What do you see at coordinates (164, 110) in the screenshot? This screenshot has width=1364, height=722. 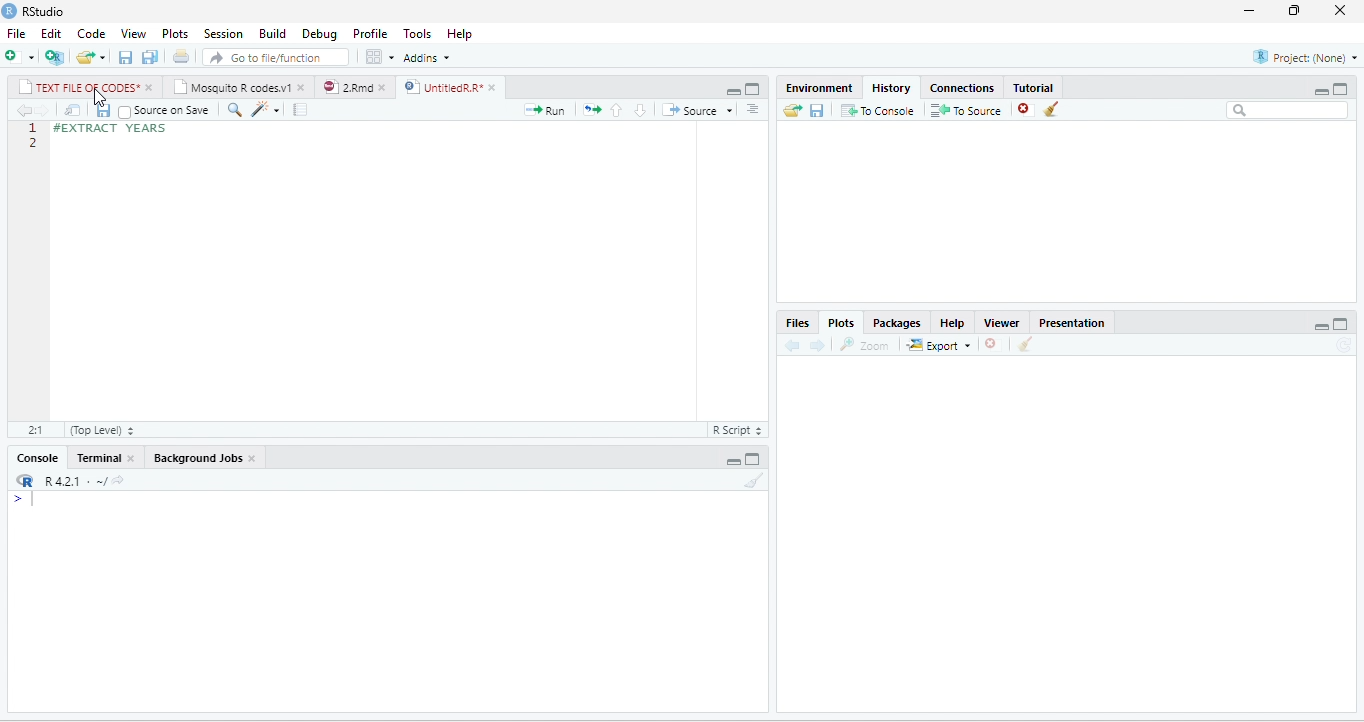 I see `Source on Save` at bounding box center [164, 110].